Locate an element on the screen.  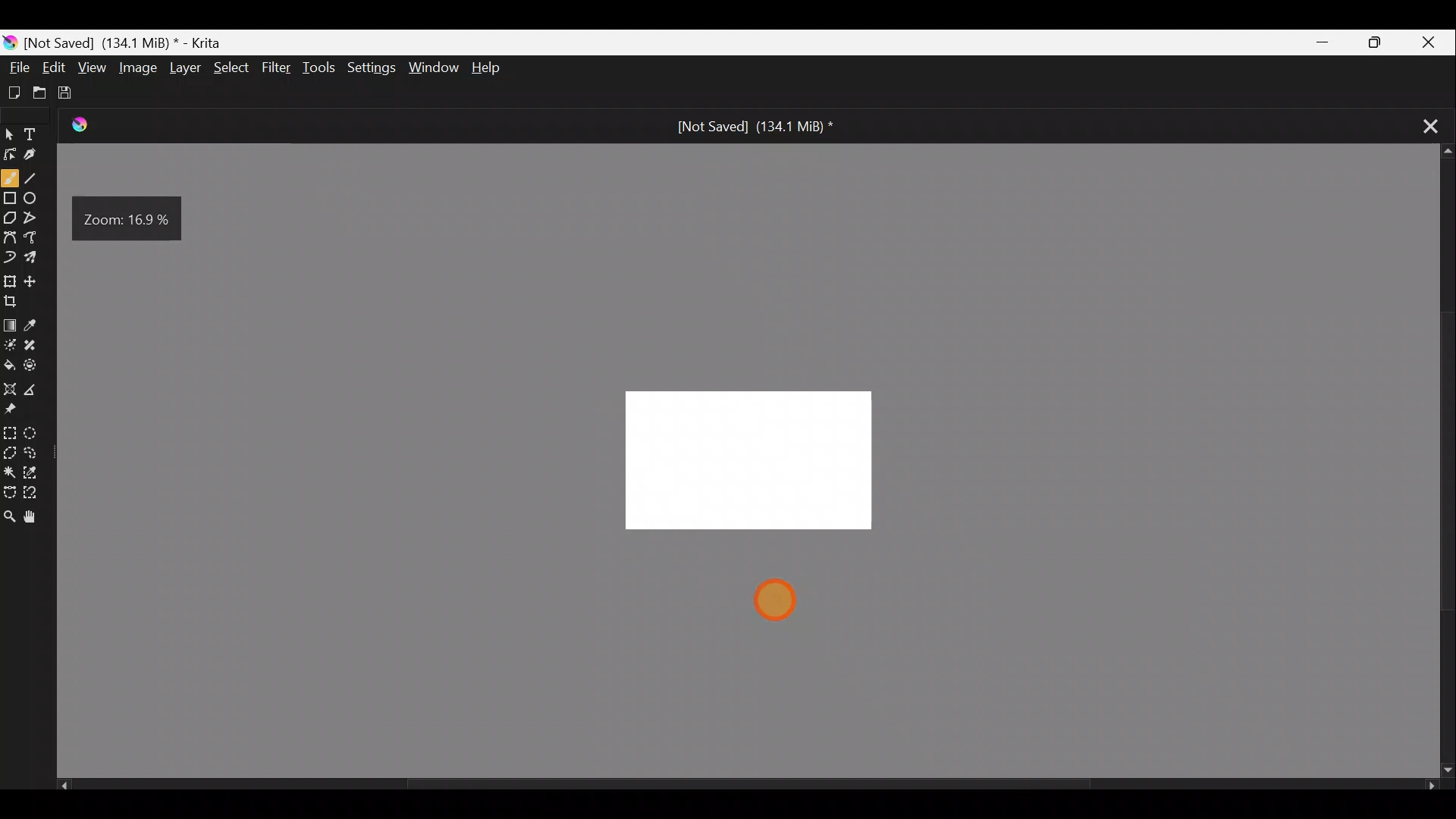
Draw a gradient is located at coordinates (11, 322).